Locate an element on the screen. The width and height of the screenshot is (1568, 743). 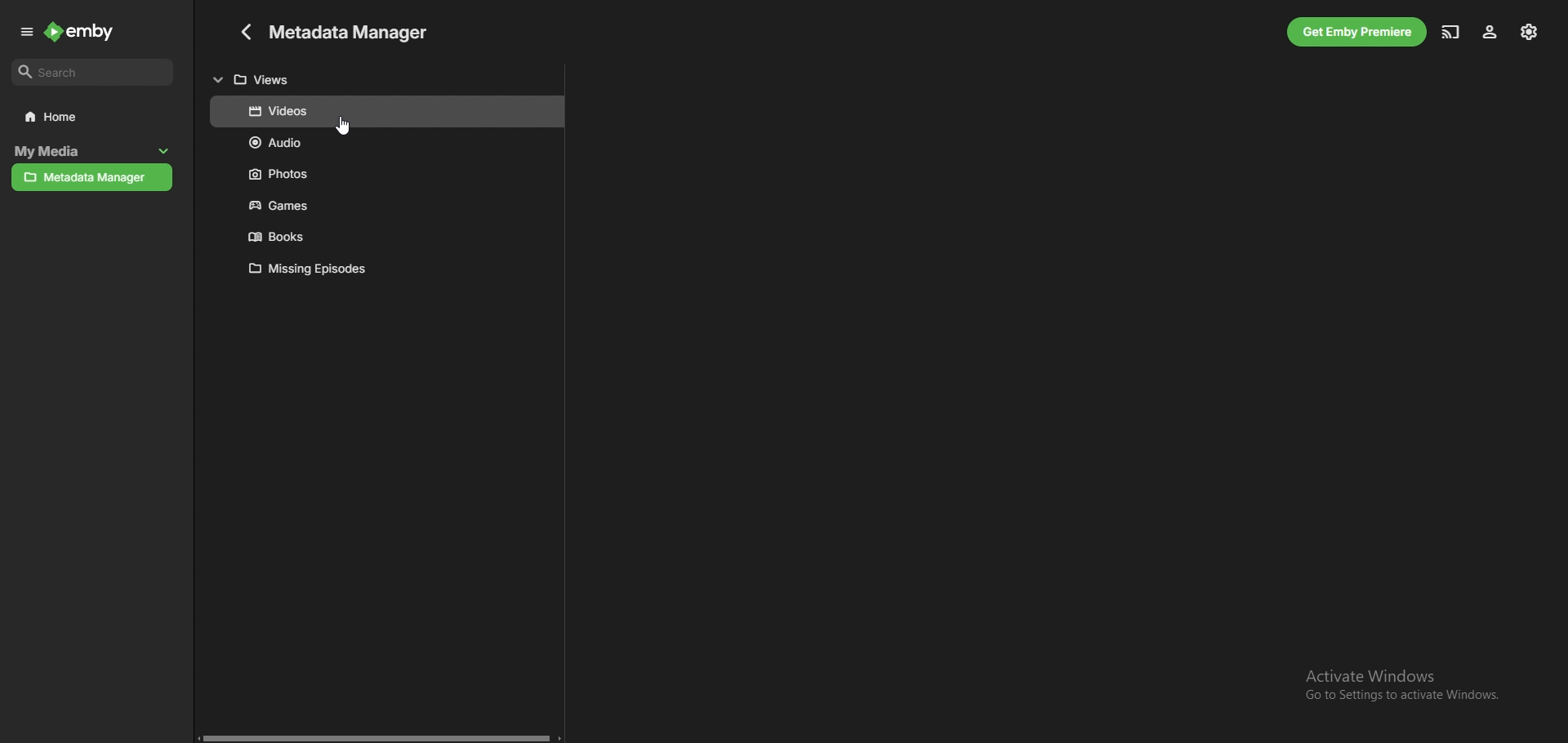
collapse is located at coordinates (164, 152).